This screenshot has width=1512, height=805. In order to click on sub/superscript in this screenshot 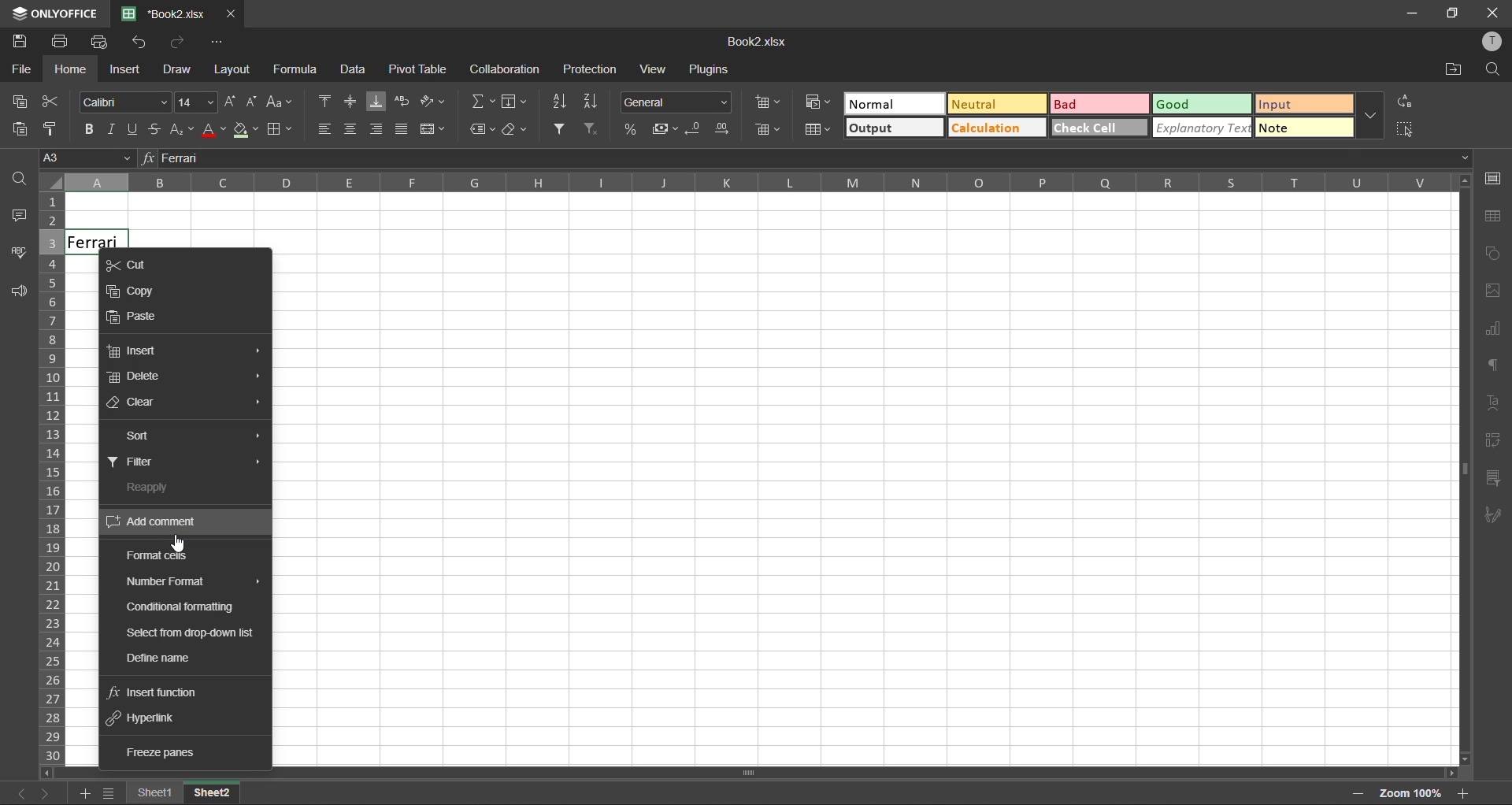, I will do `click(183, 131)`.